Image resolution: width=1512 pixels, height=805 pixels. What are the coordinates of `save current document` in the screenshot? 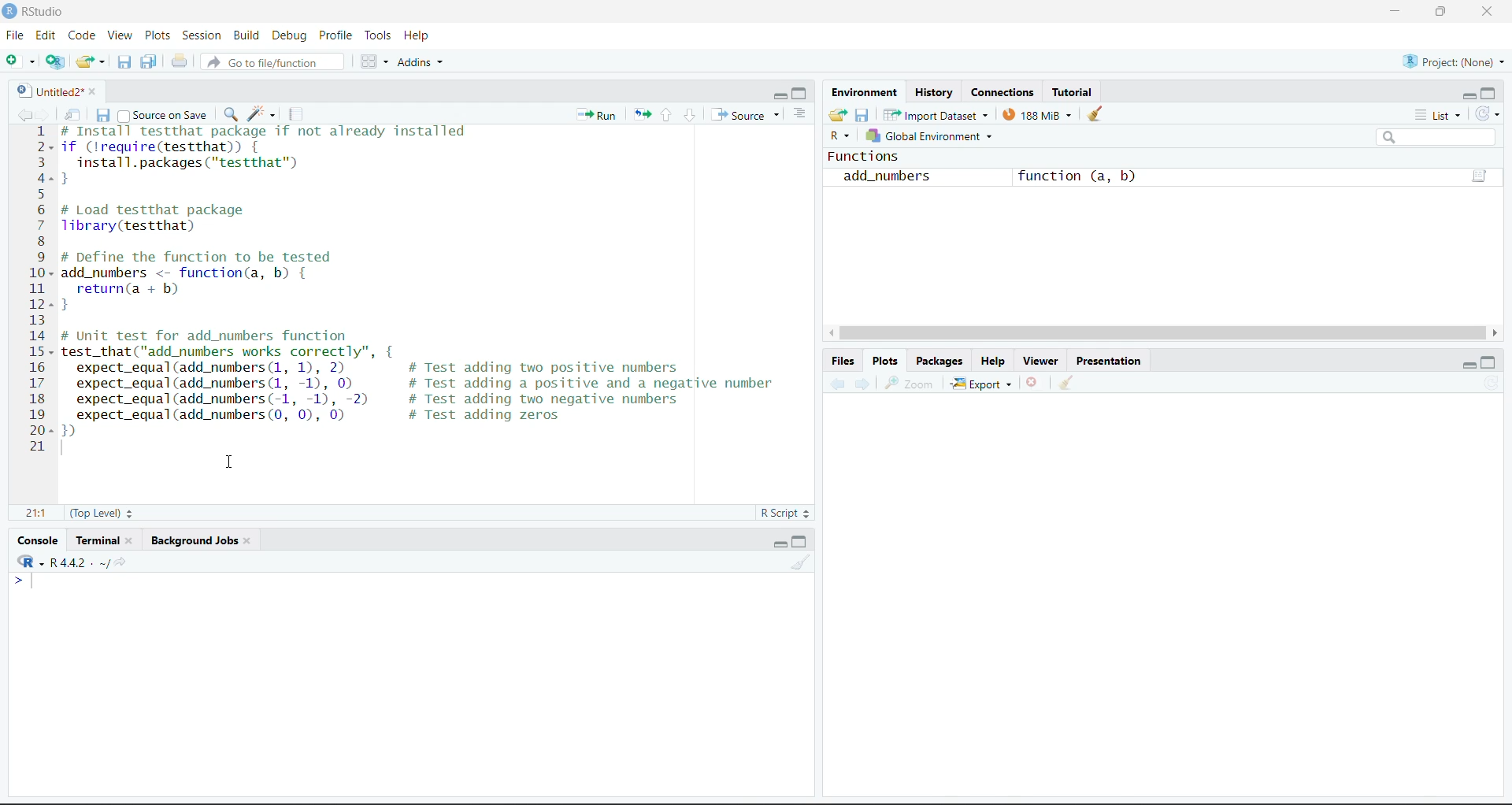 It's located at (128, 61).